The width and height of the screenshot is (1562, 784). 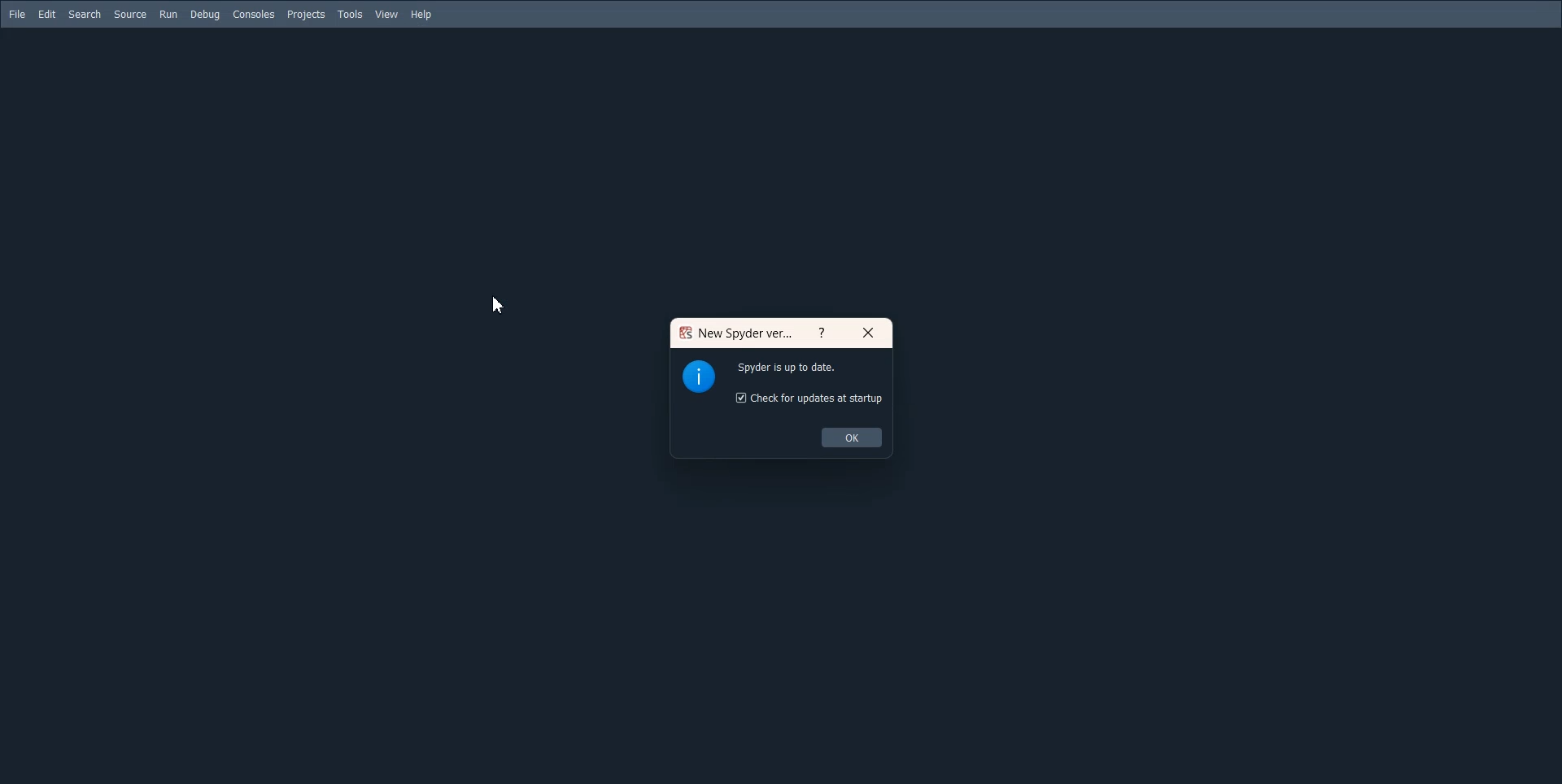 What do you see at coordinates (809, 398) in the screenshot?
I see `Check for updates at startup` at bounding box center [809, 398].